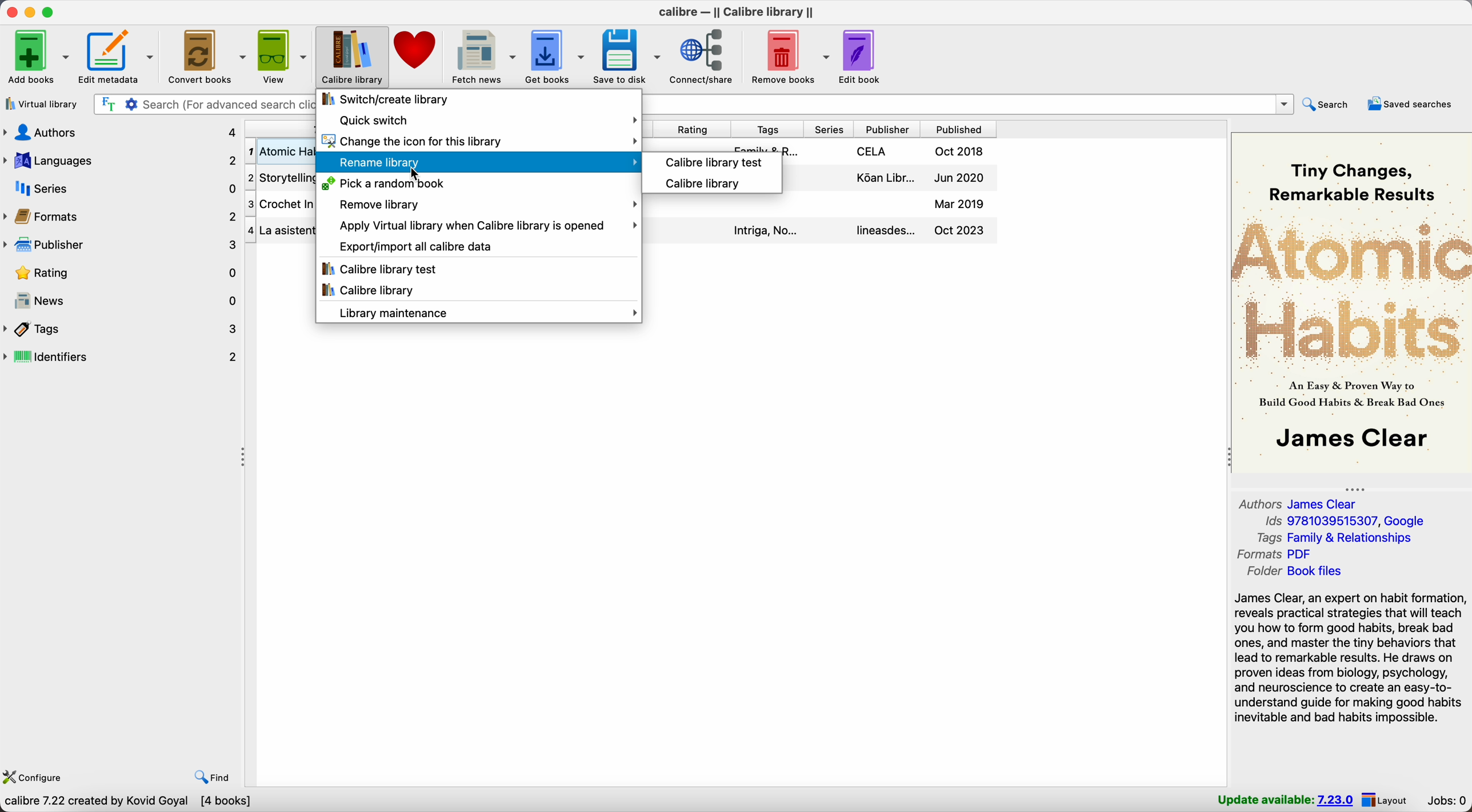 The width and height of the screenshot is (1472, 812). What do you see at coordinates (1350, 301) in the screenshot?
I see `book cover preview` at bounding box center [1350, 301].